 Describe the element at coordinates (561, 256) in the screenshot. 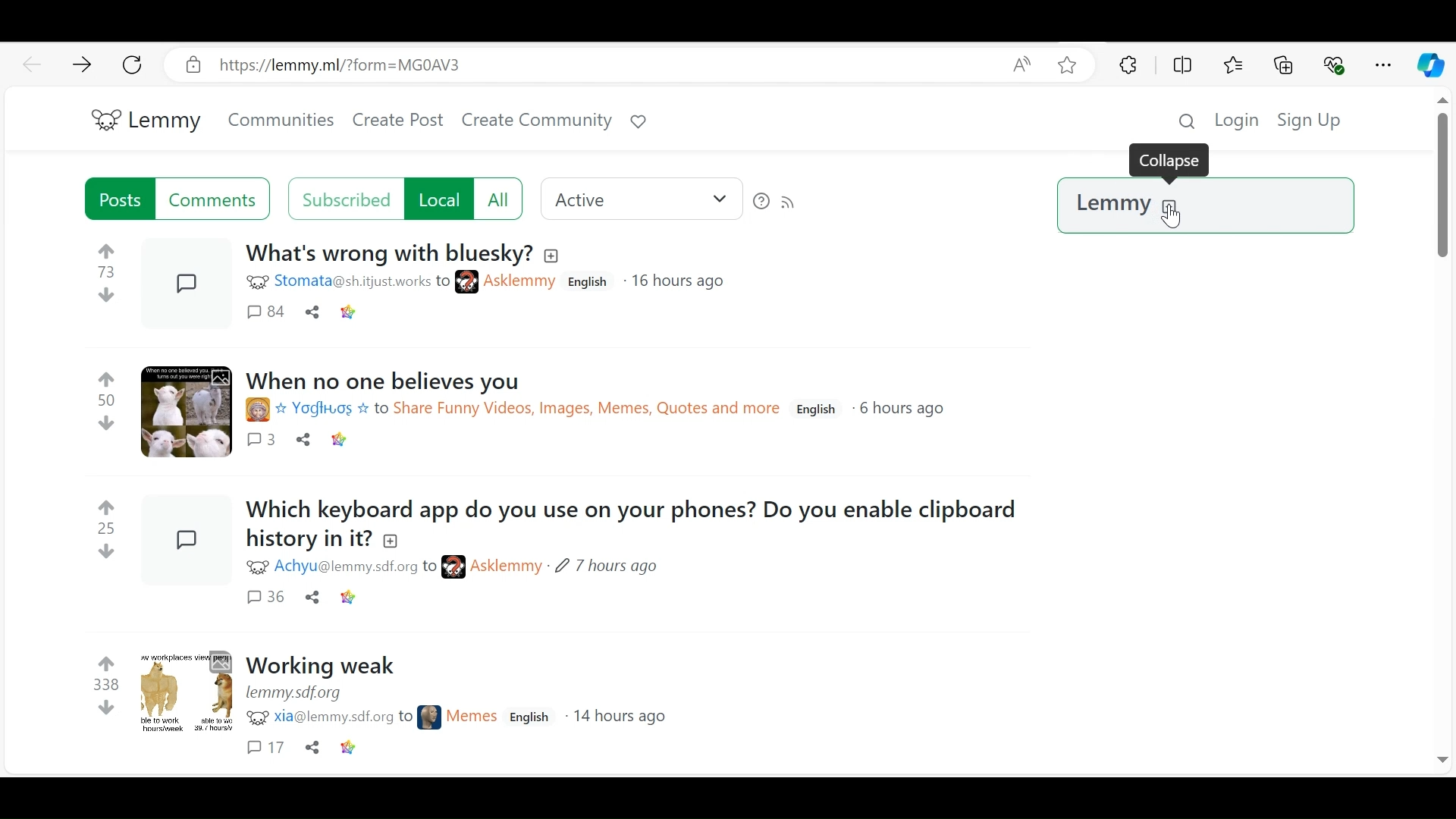

I see `add` at that location.